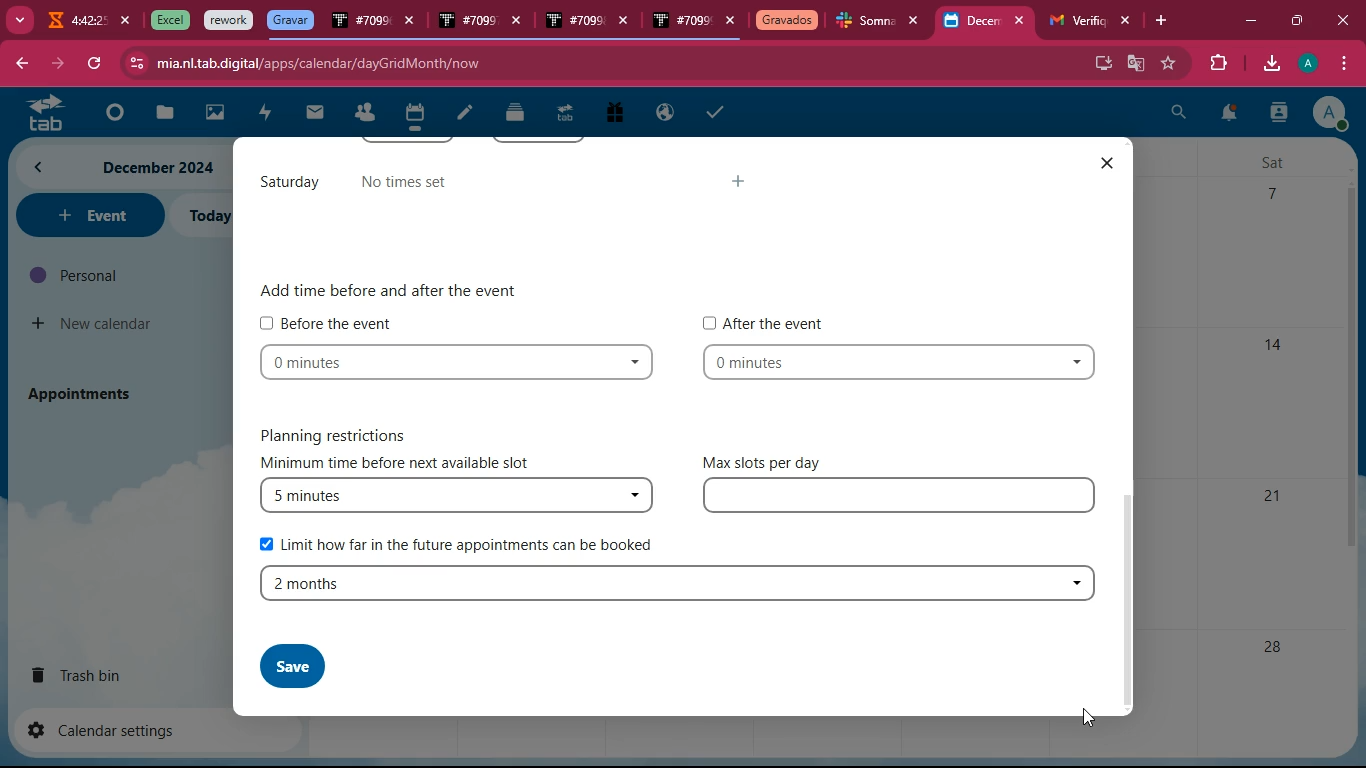 The image size is (1366, 768). I want to click on tab, so click(787, 22).